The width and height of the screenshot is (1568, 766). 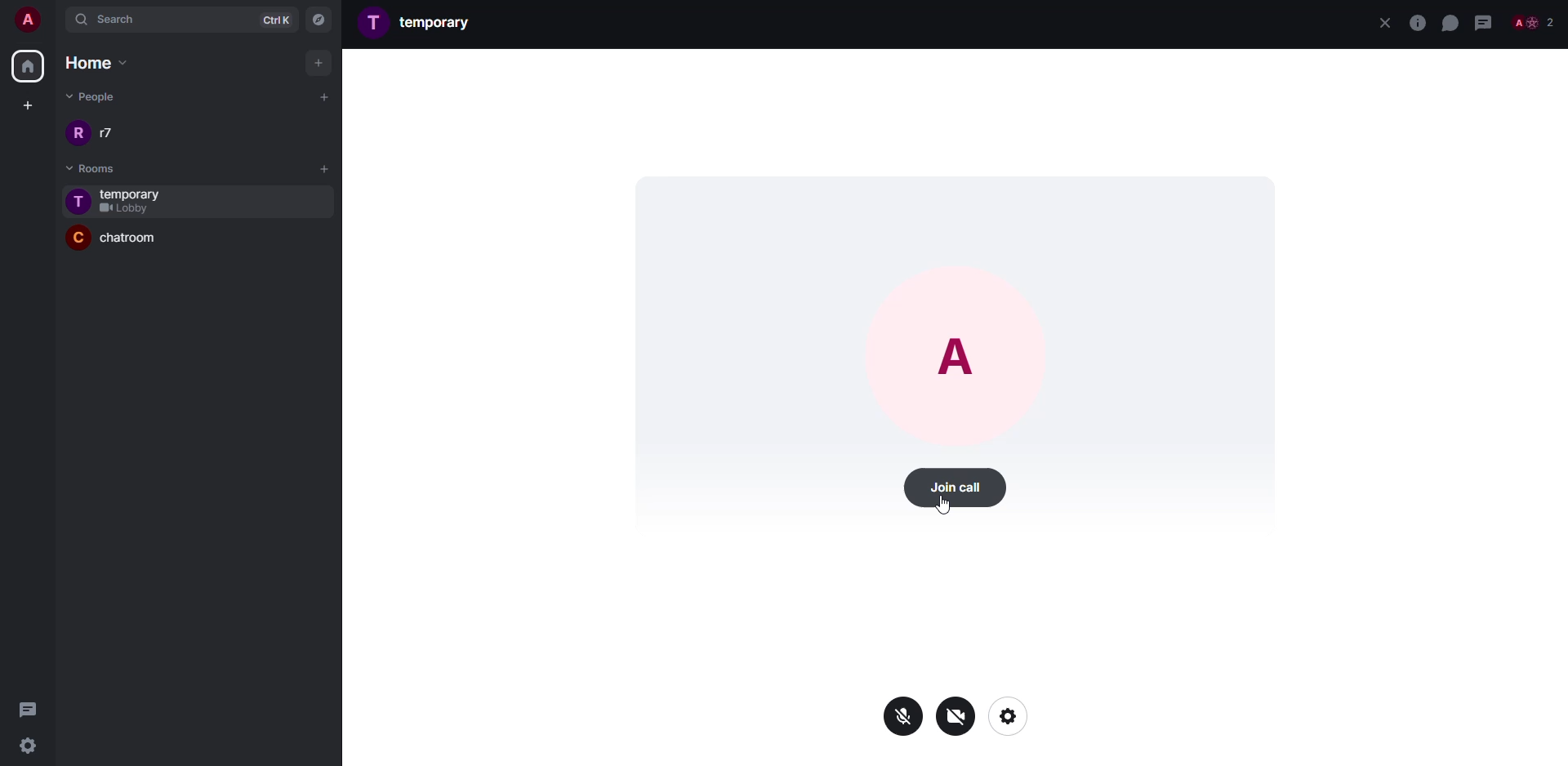 I want to click on profile, so click(x=78, y=202).